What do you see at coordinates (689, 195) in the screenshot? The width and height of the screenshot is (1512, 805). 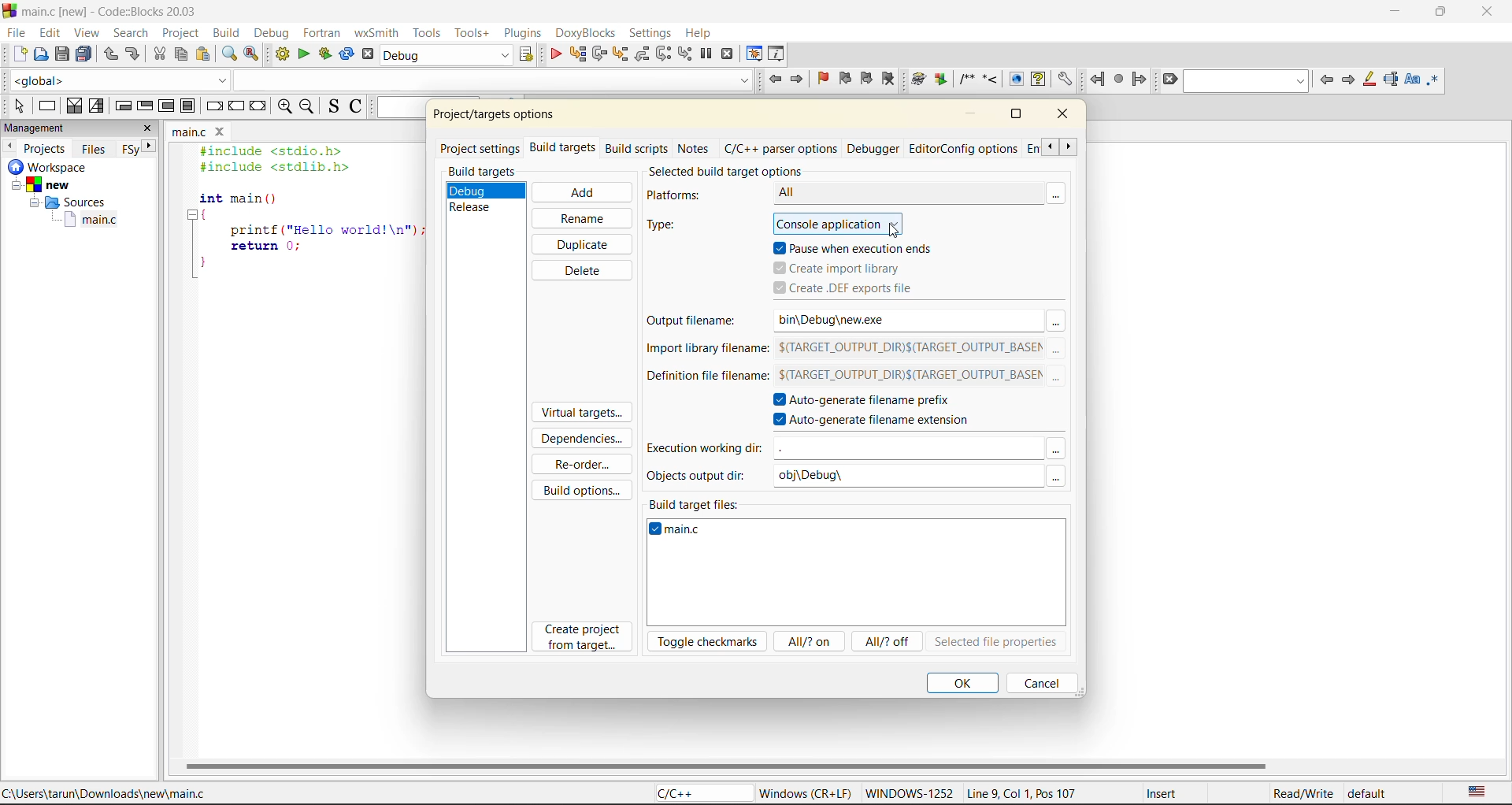 I see `platforns` at bounding box center [689, 195].